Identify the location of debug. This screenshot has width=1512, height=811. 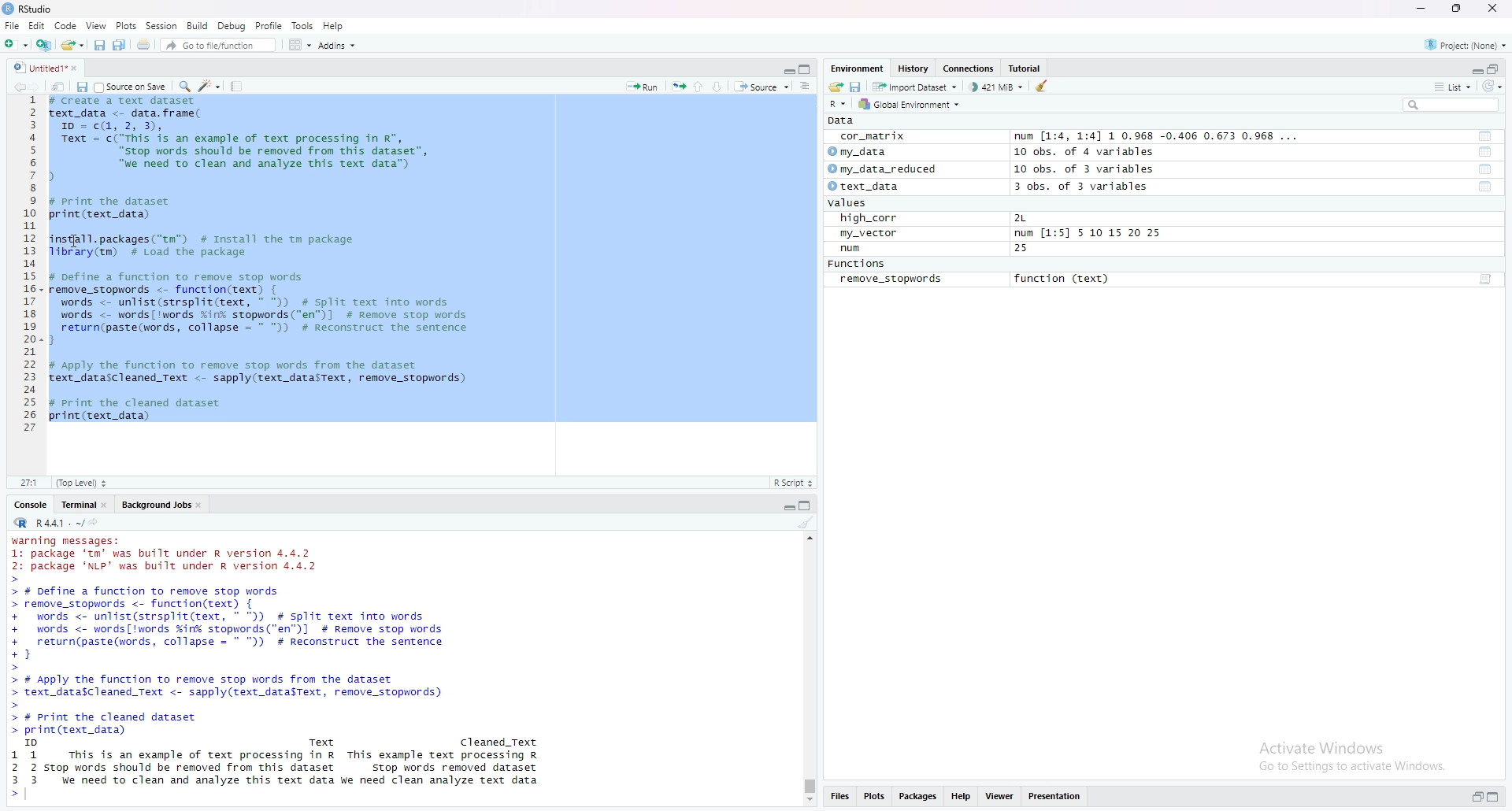
(232, 26).